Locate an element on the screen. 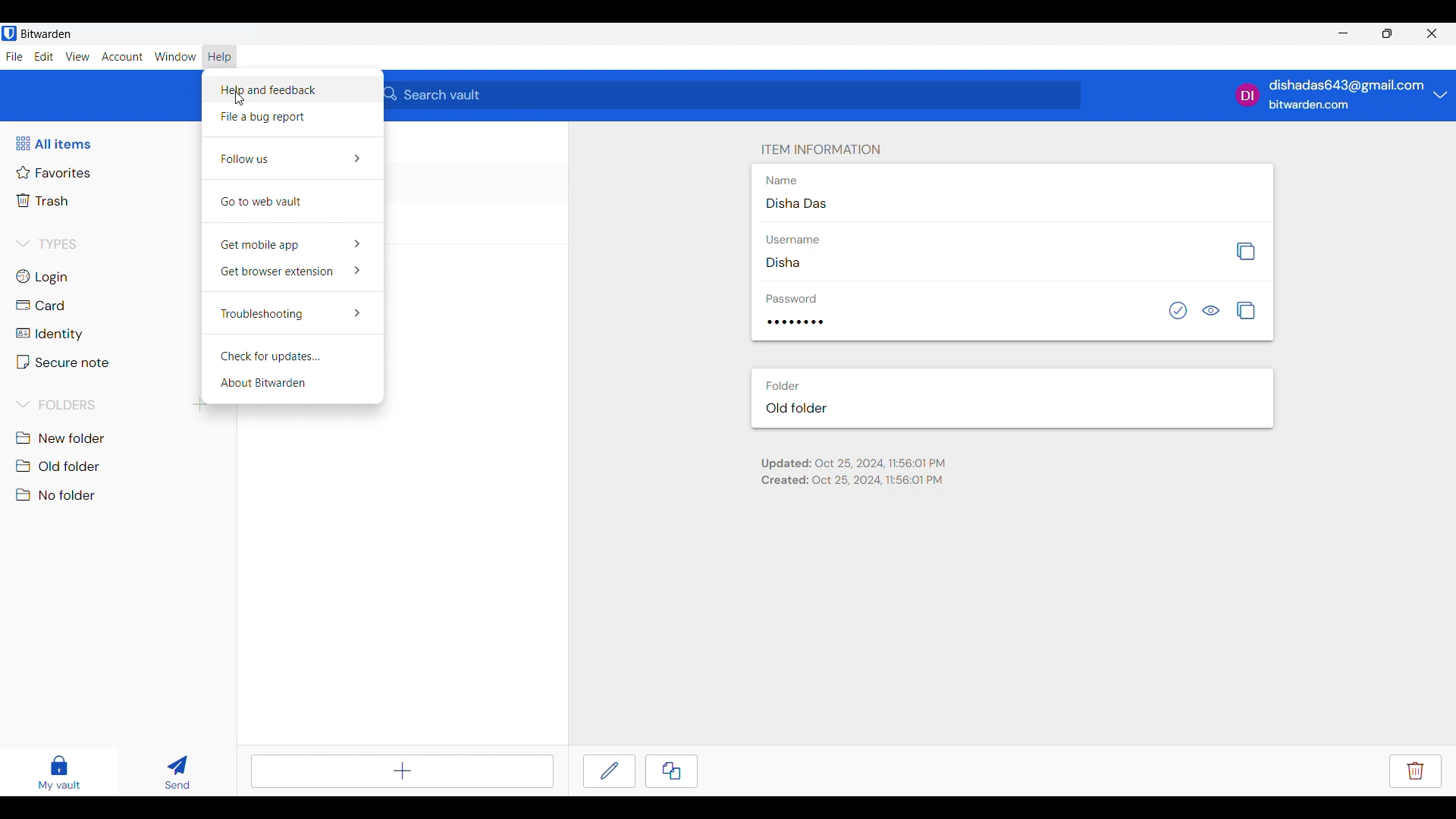  Search vault is located at coordinates (733, 95).